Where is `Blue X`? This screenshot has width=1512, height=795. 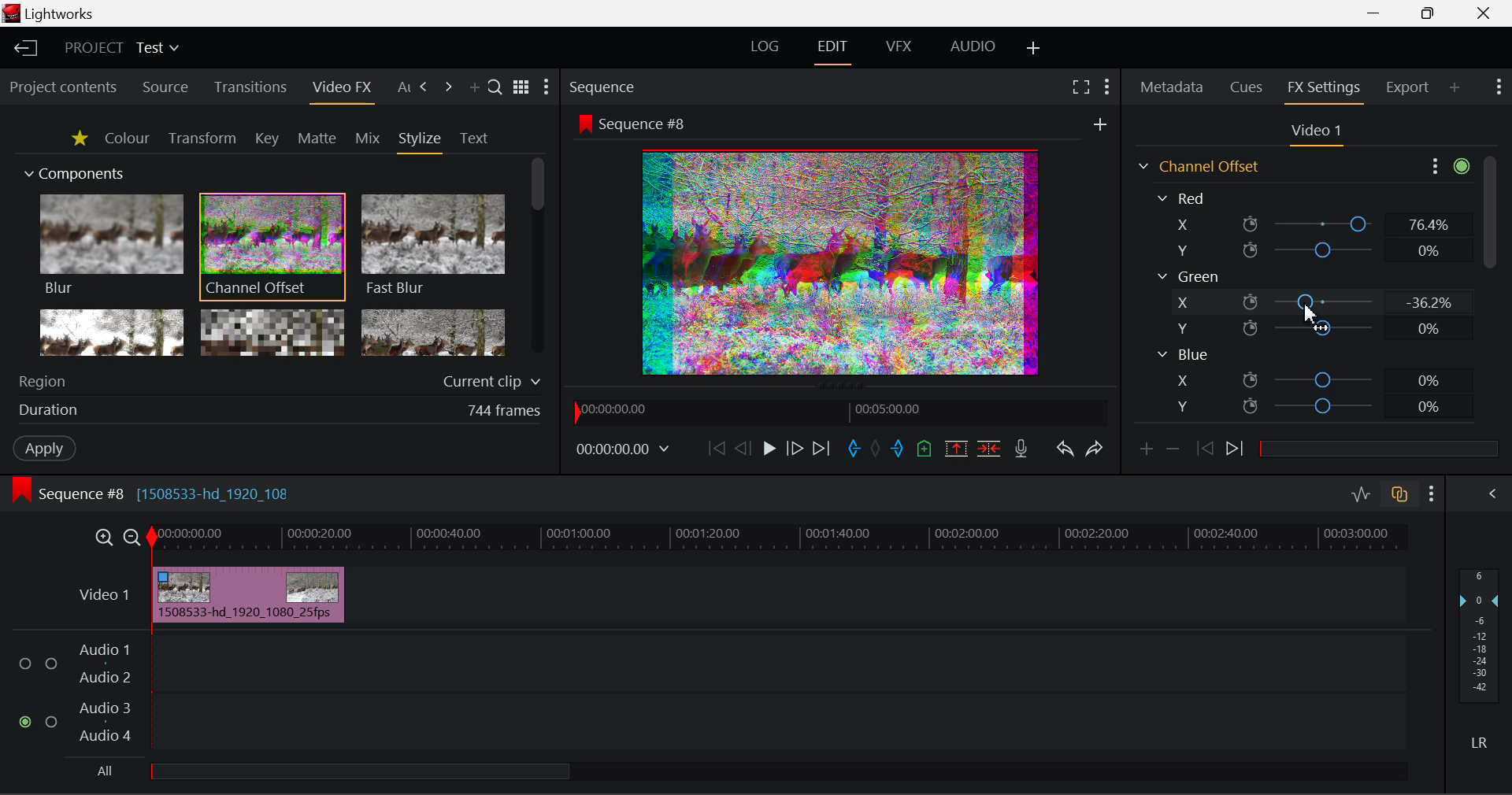
Blue X is located at coordinates (1314, 379).